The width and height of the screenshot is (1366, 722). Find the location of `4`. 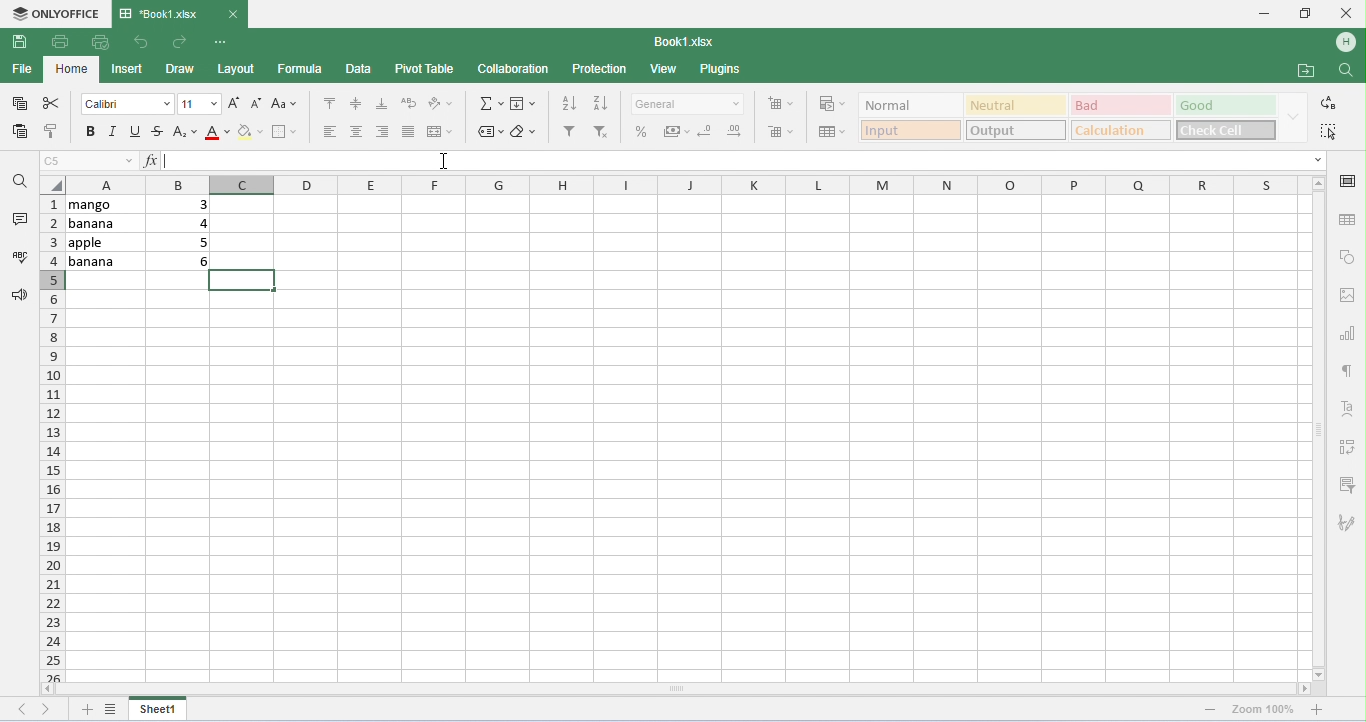

4 is located at coordinates (197, 223).